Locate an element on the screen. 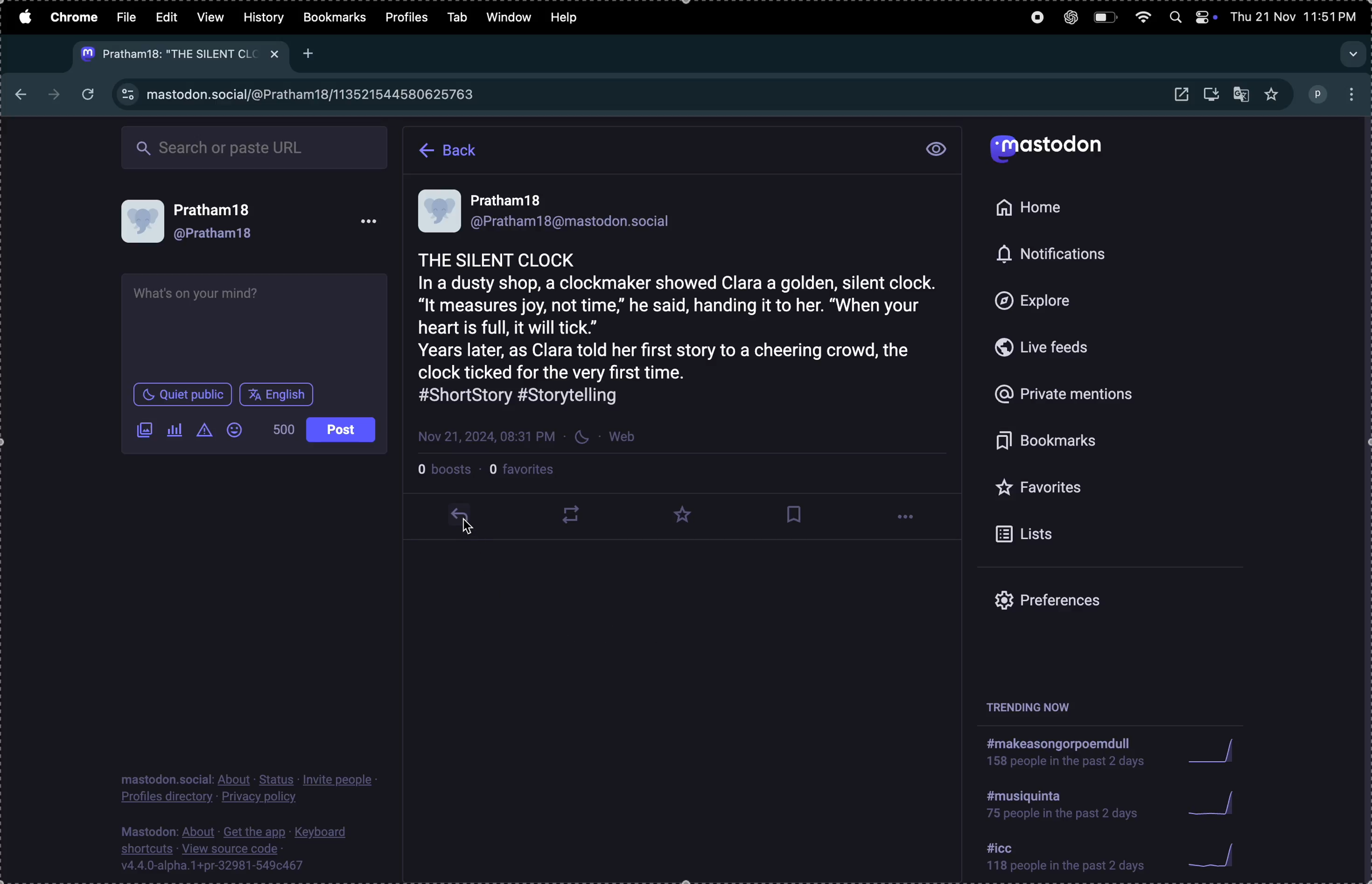 Image resolution: width=1372 pixels, height=884 pixels. chrome is located at coordinates (75, 18).